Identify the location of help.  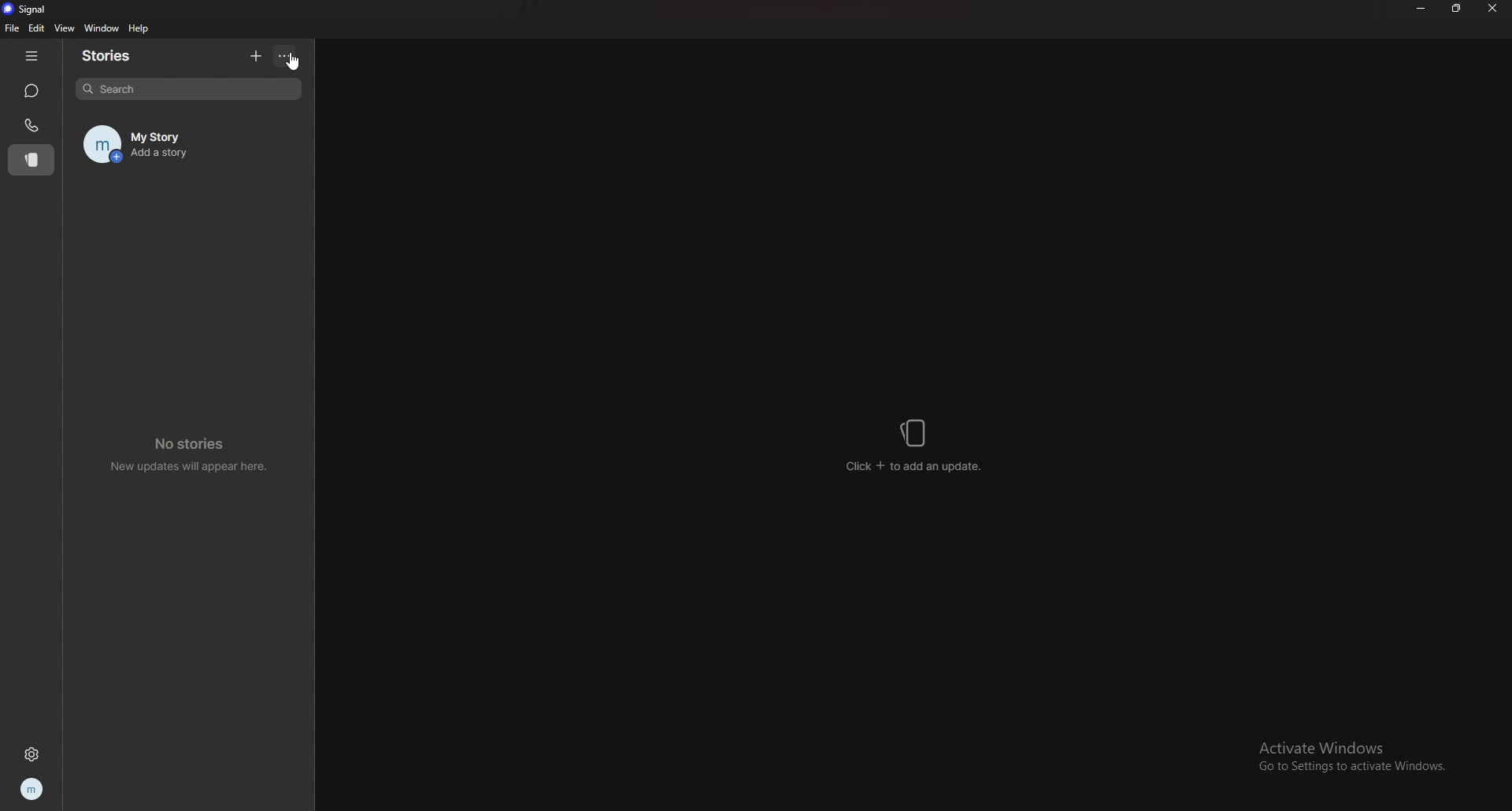
(139, 28).